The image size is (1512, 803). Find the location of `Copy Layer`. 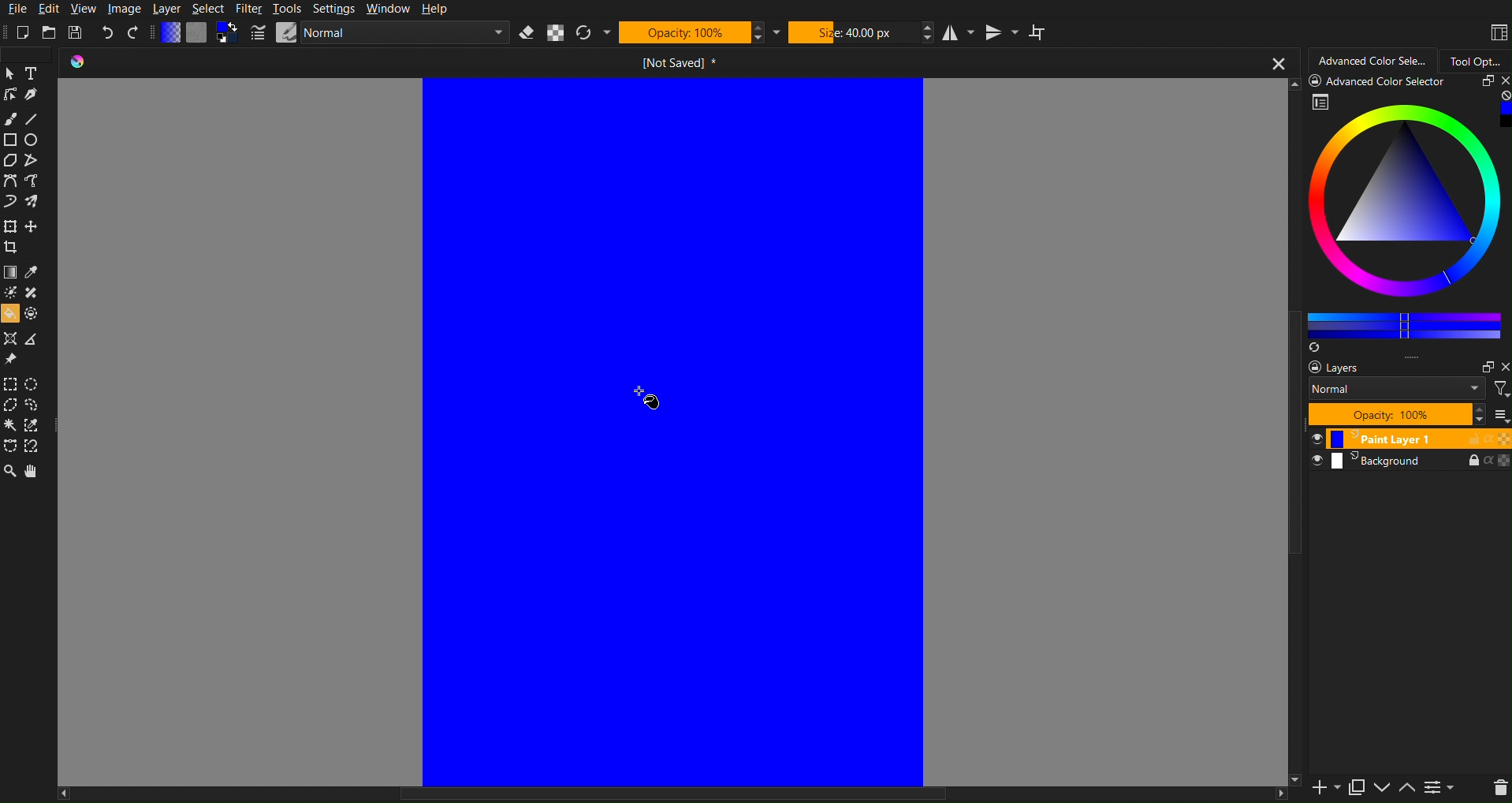

Copy Layer is located at coordinates (1353, 785).